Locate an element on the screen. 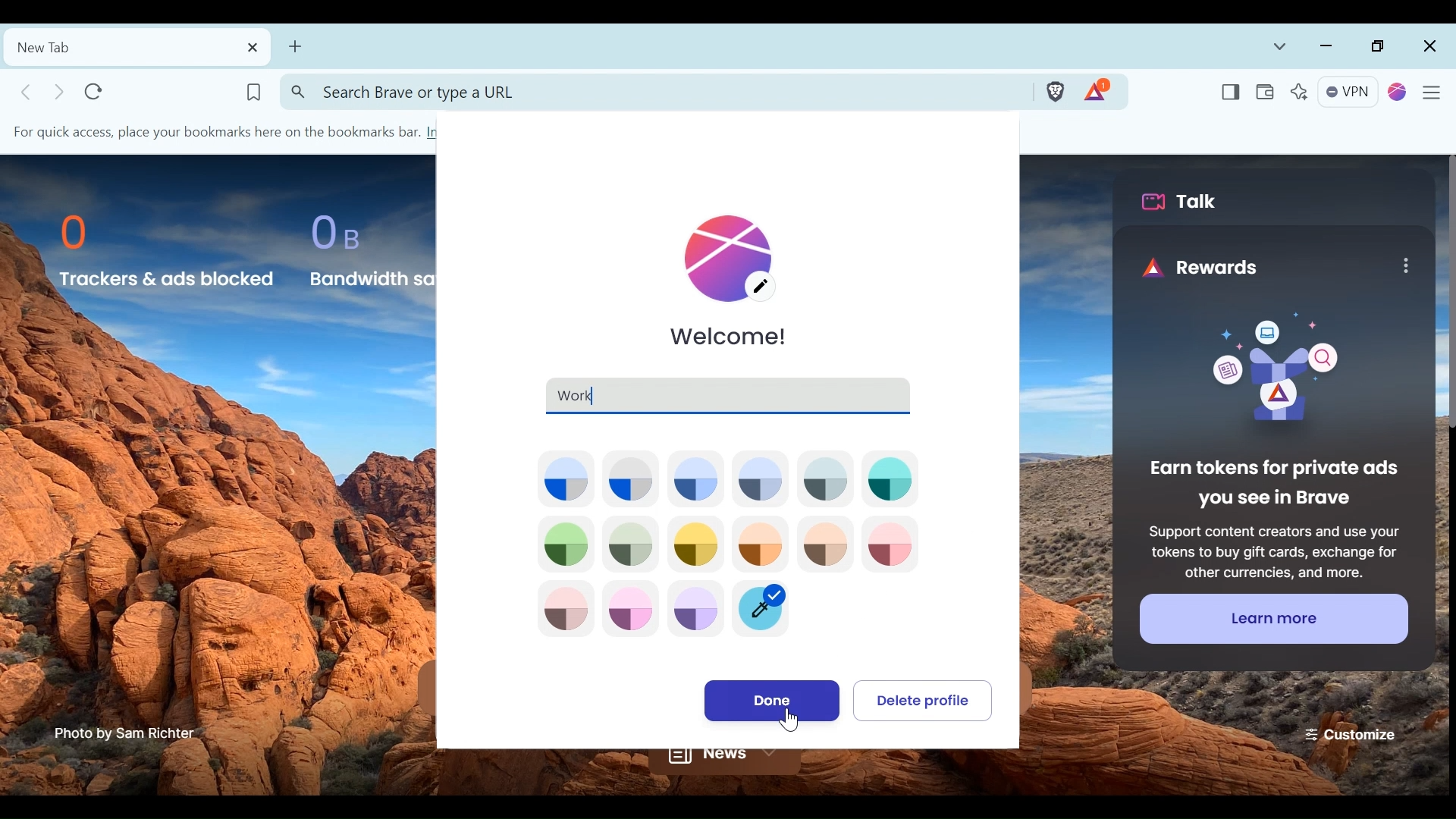  0 B Bandwidth Saved is located at coordinates (367, 248).